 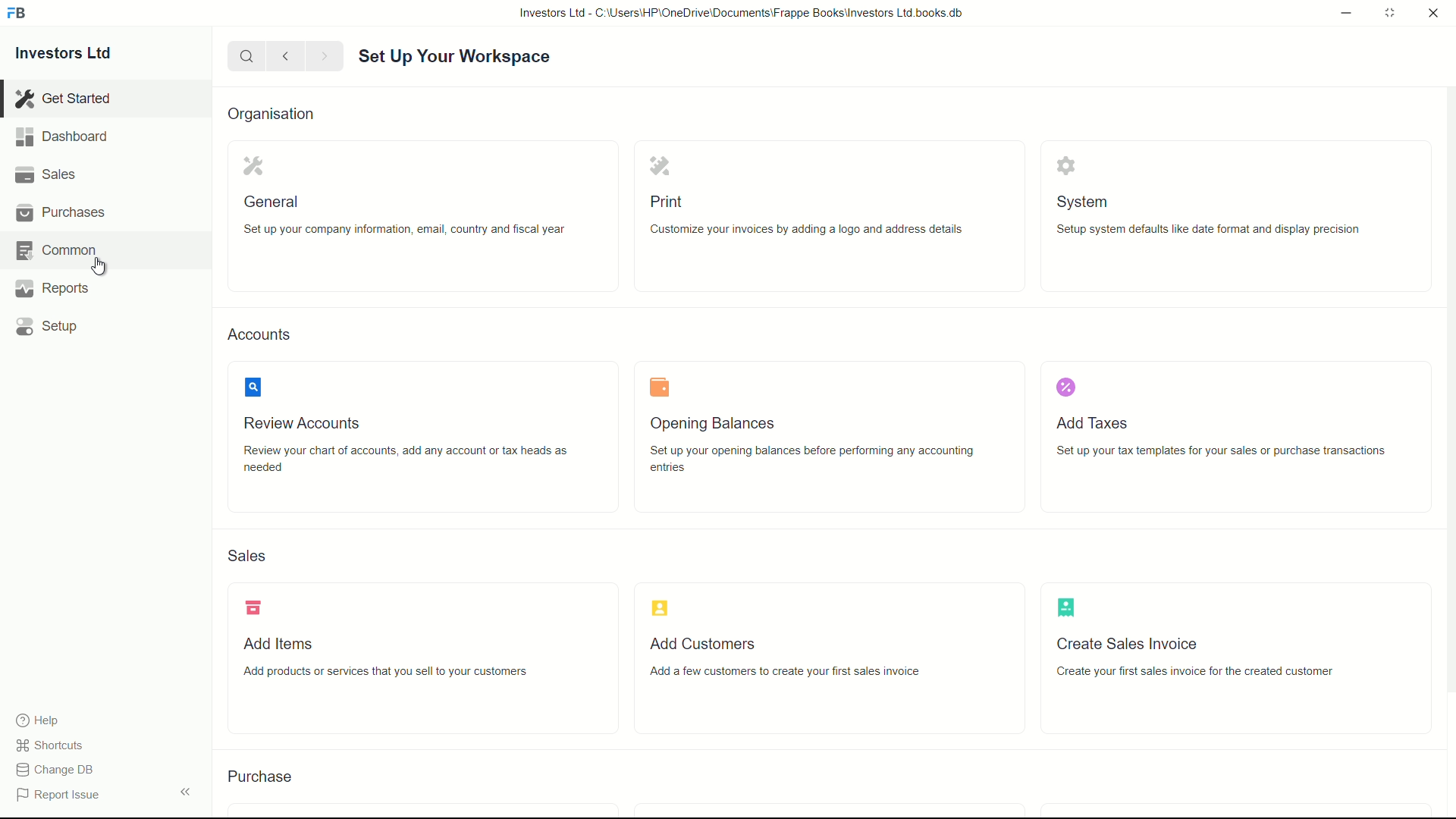 What do you see at coordinates (322, 56) in the screenshot?
I see `Next` at bounding box center [322, 56].